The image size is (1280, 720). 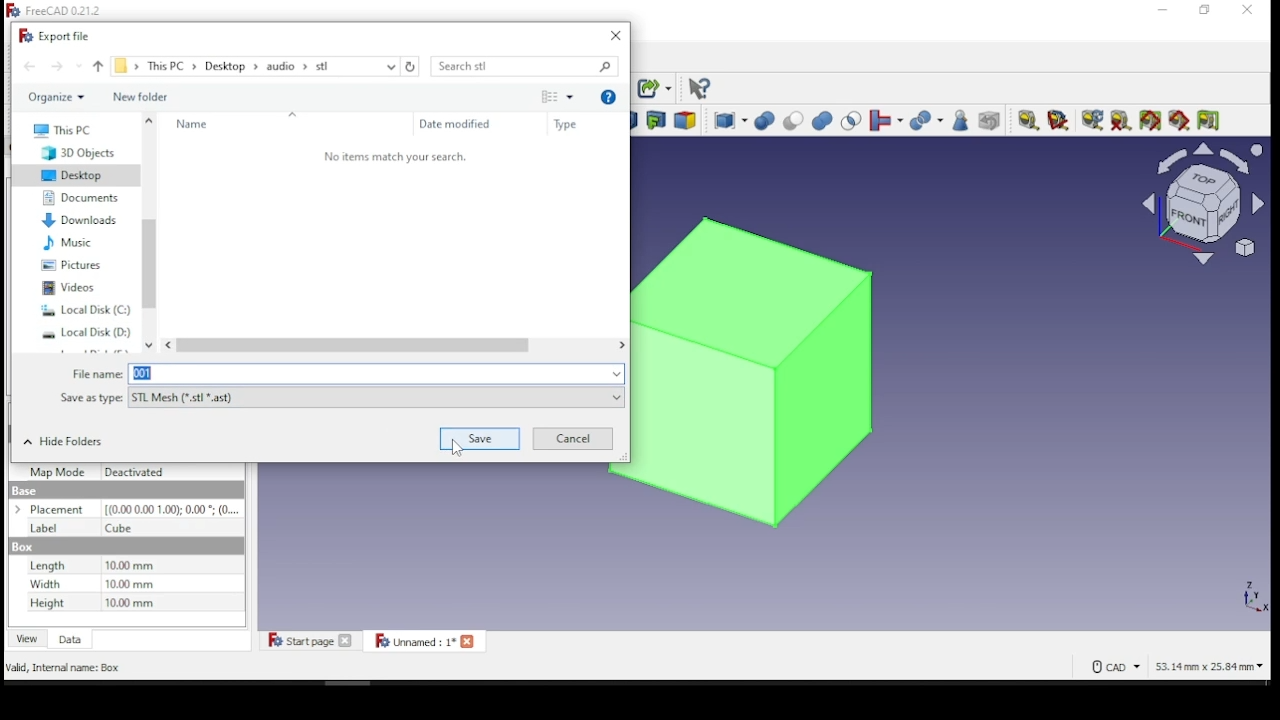 What do you see at coordinates (962, 121) in the screenshot?
I see `check geometry` at bounding box center [962, 121].